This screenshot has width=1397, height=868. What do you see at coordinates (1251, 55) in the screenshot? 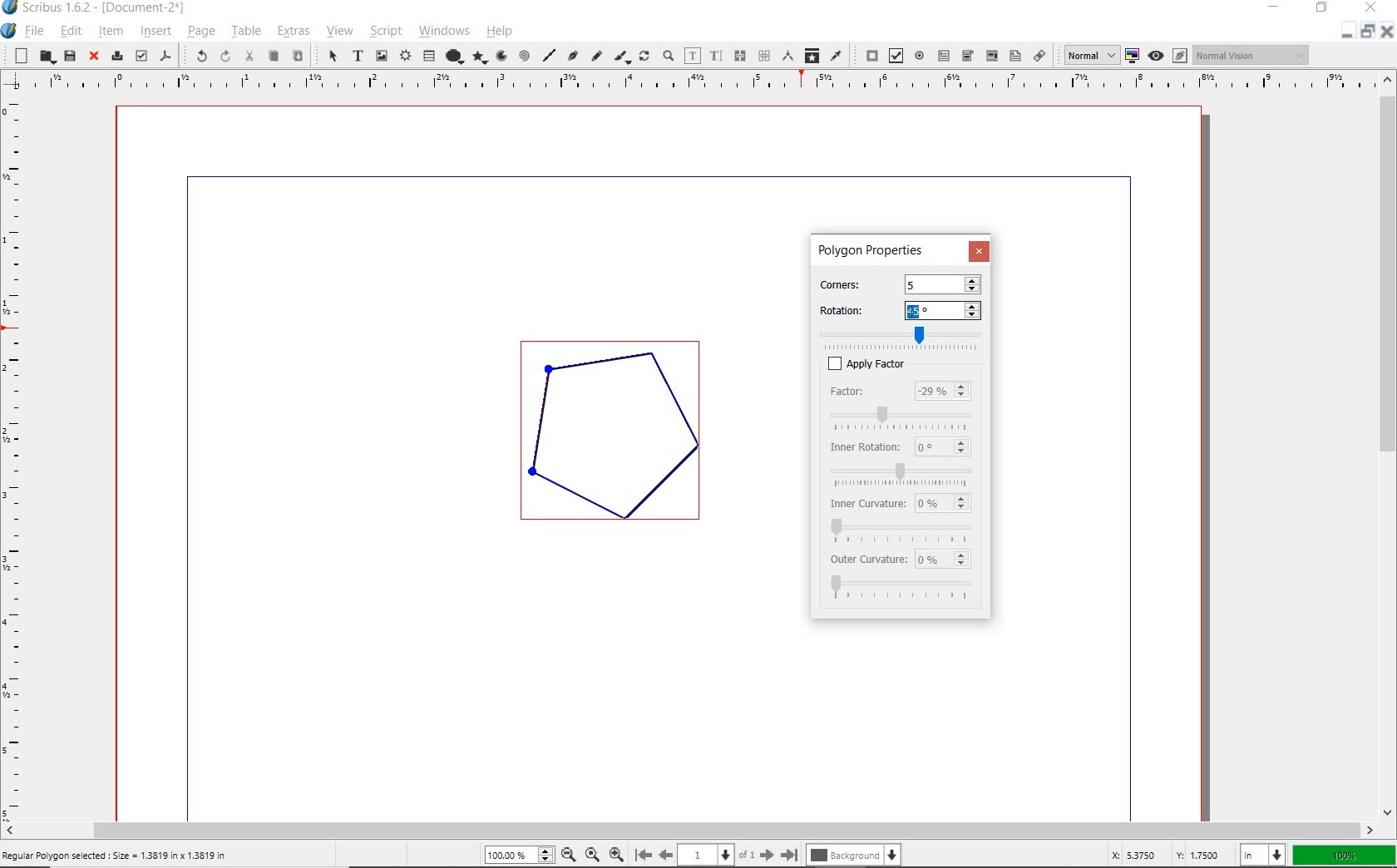
I see `visual appearance of display` at bounding box center [1251, 55].